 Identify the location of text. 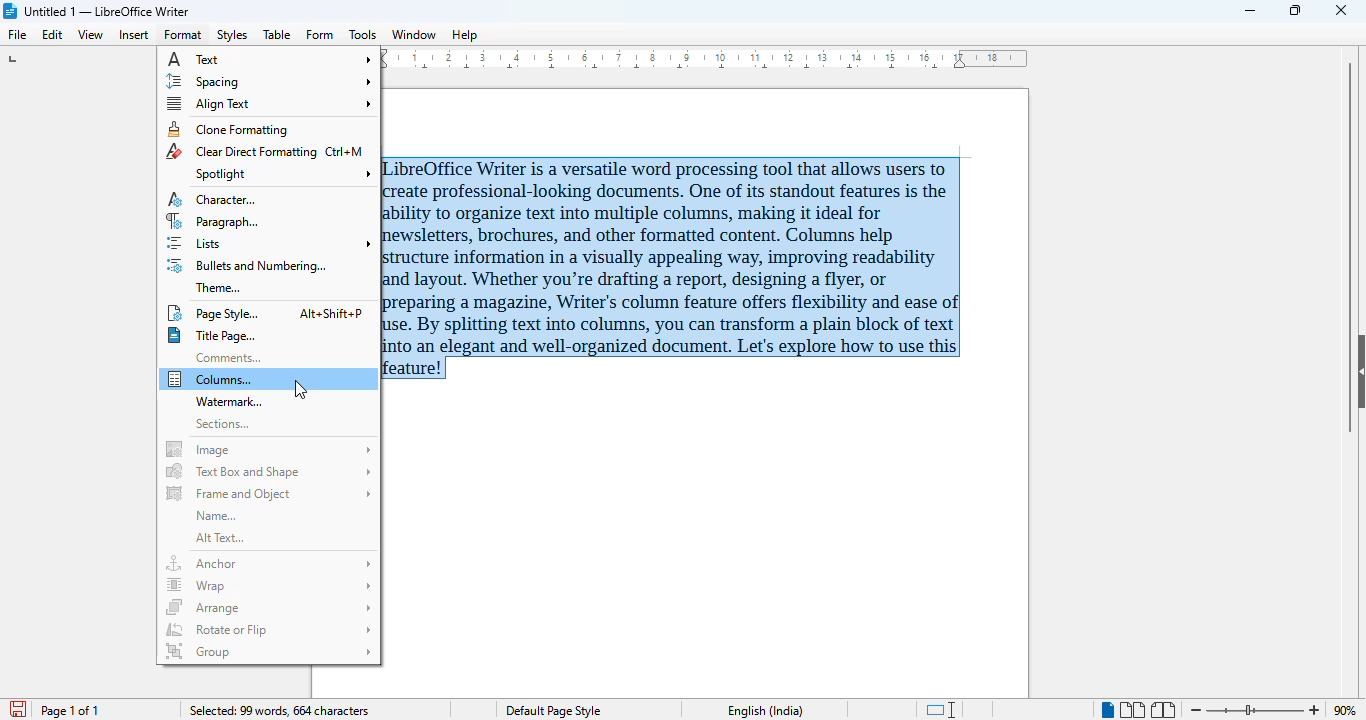
(271, 60).